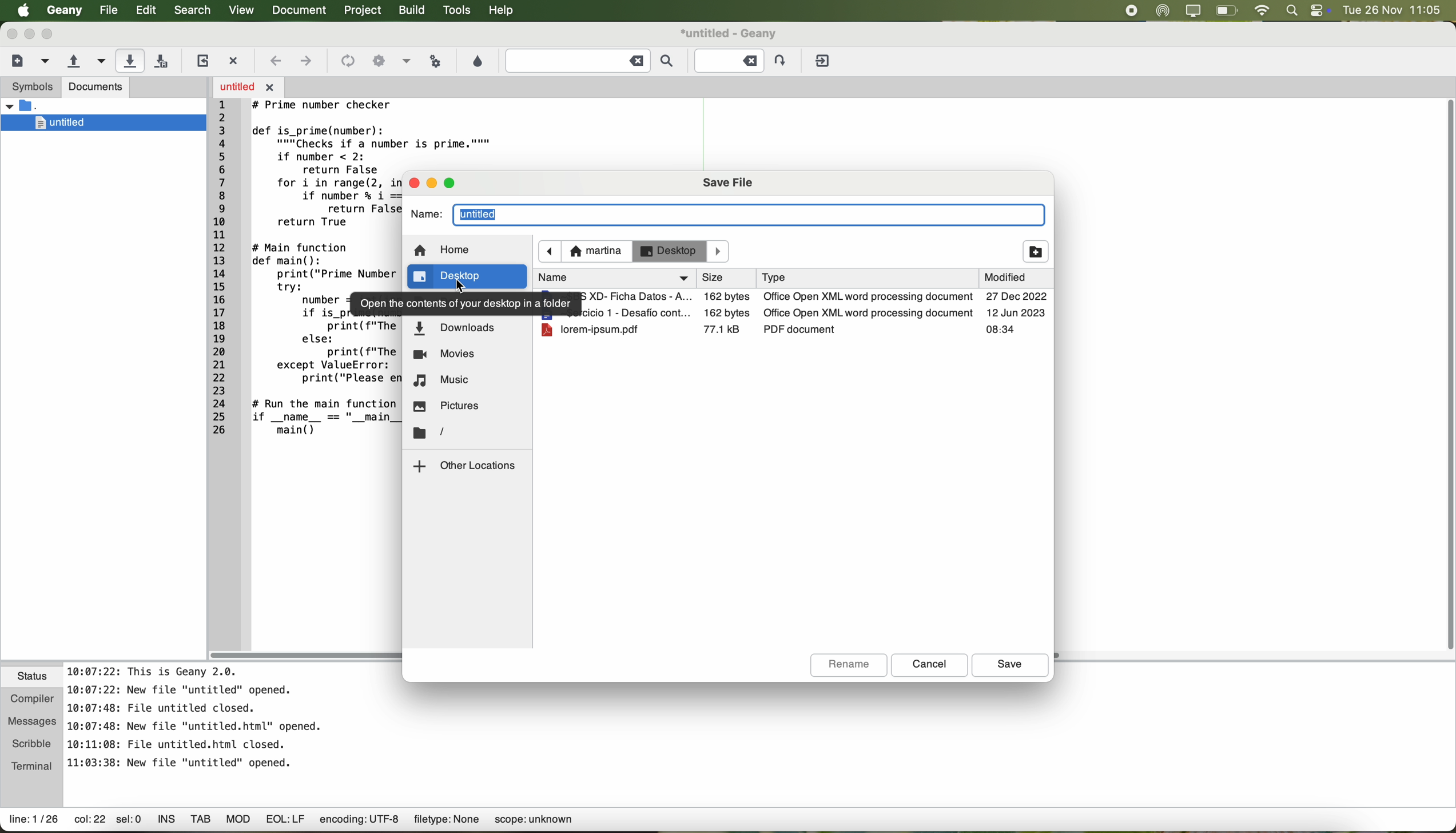 This screenshot has height=833, width=1456. What do you see at coordinates (459, 145) in the screenshot?
I see `code` at bounding box center [459, 145].